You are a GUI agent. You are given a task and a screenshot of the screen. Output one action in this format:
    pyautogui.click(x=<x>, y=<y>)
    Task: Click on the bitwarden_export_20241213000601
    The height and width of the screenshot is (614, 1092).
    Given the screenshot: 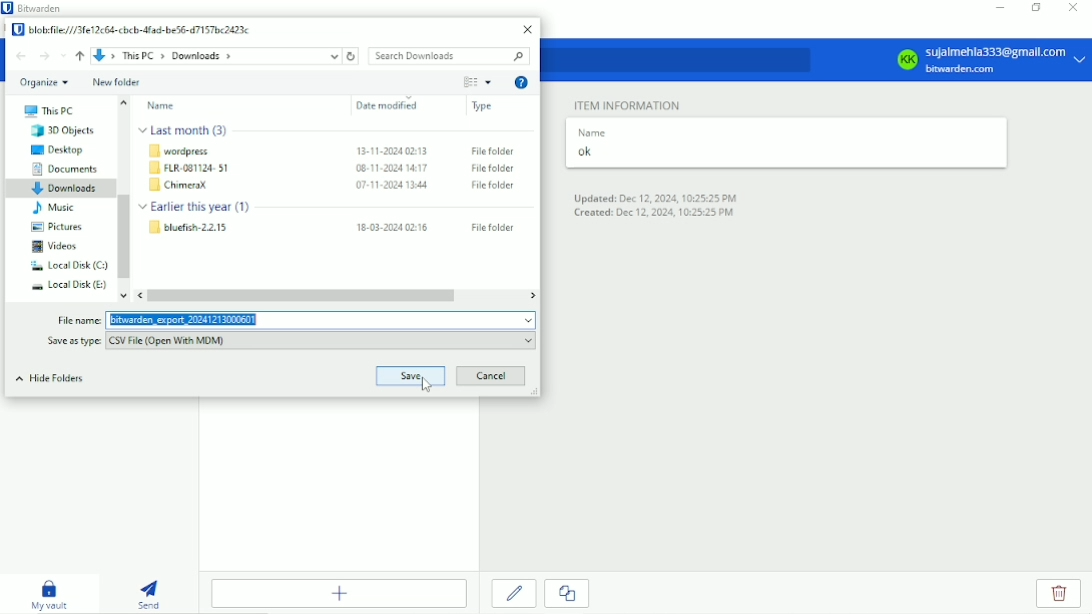 What is the action you would take?
    pyautogui.click(x=322, y=320)
    